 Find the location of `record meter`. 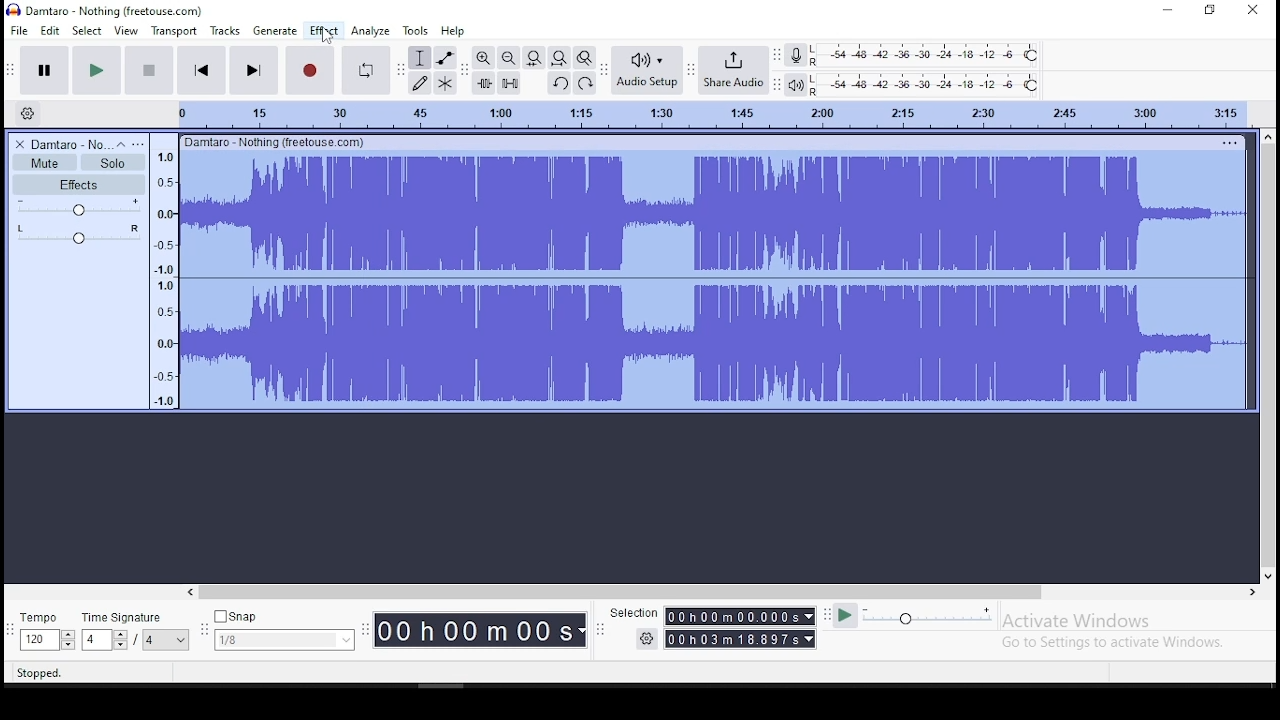

record meter is located at coordinates (796, 57).